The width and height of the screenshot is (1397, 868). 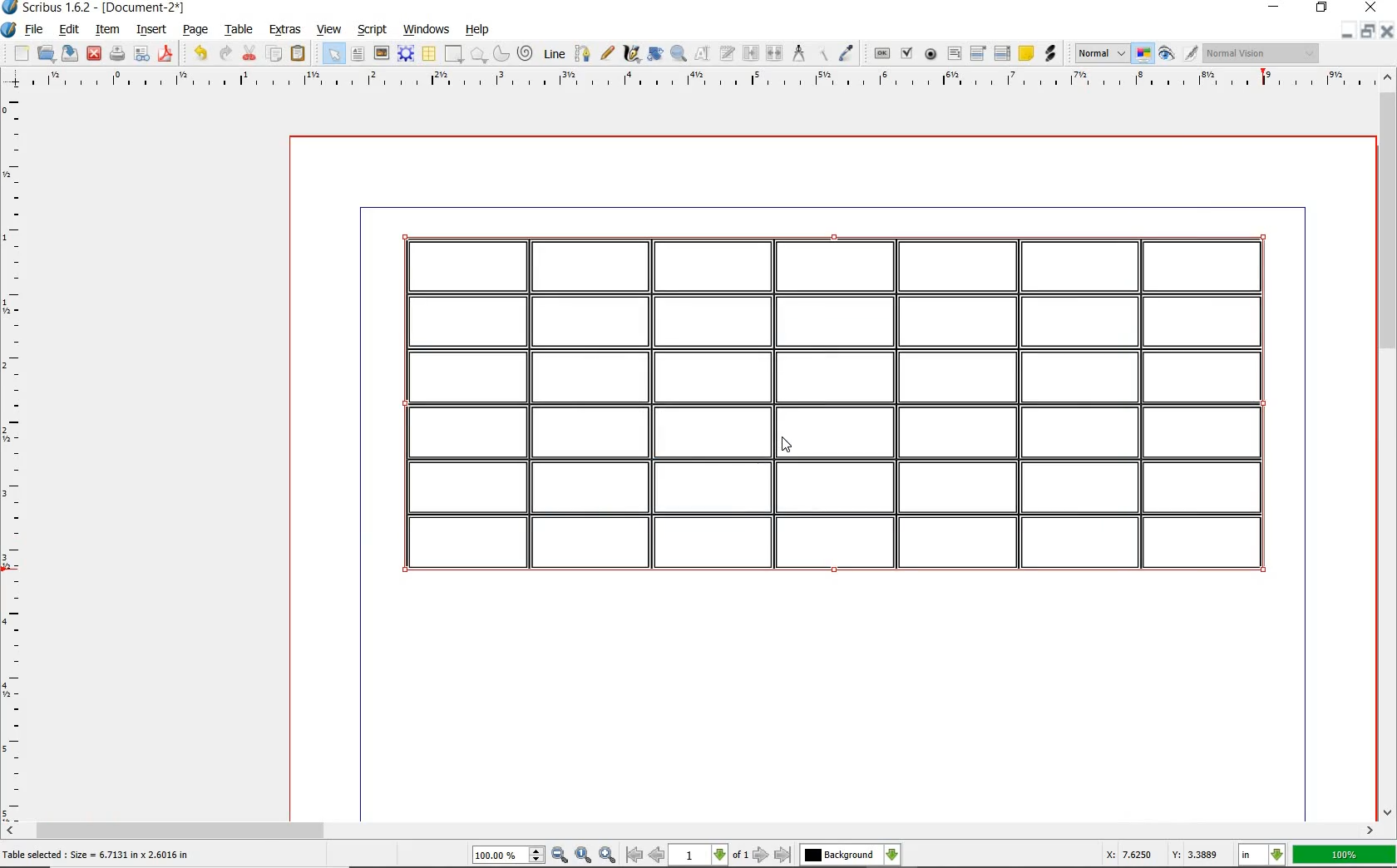 I want to click on windows, so click(x=428, y=31).